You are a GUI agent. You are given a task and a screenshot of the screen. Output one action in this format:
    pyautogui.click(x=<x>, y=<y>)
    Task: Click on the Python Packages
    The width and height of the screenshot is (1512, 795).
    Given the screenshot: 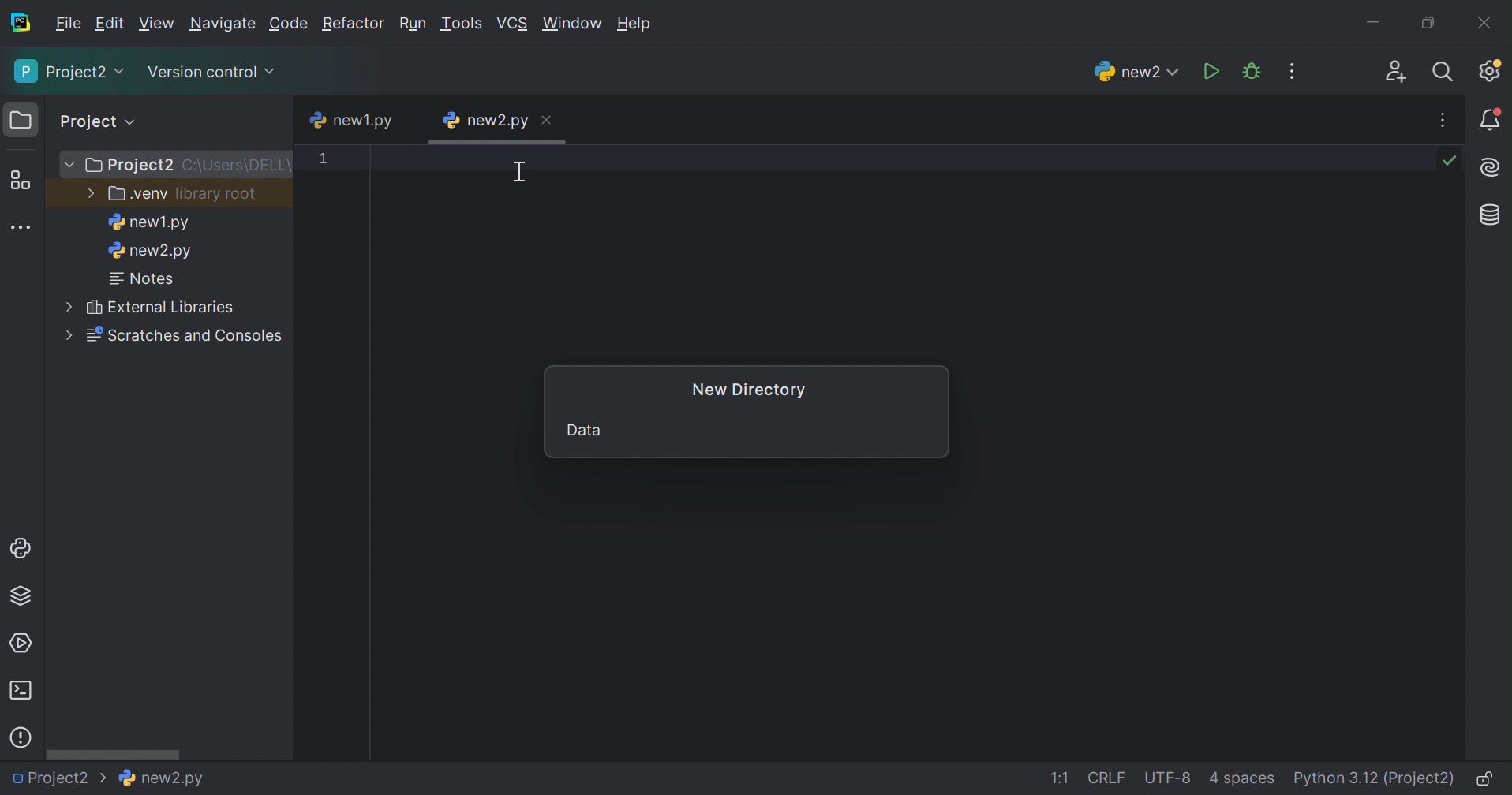 What is the action you would take?
    pyautogui.click(x=24, y=599)
    